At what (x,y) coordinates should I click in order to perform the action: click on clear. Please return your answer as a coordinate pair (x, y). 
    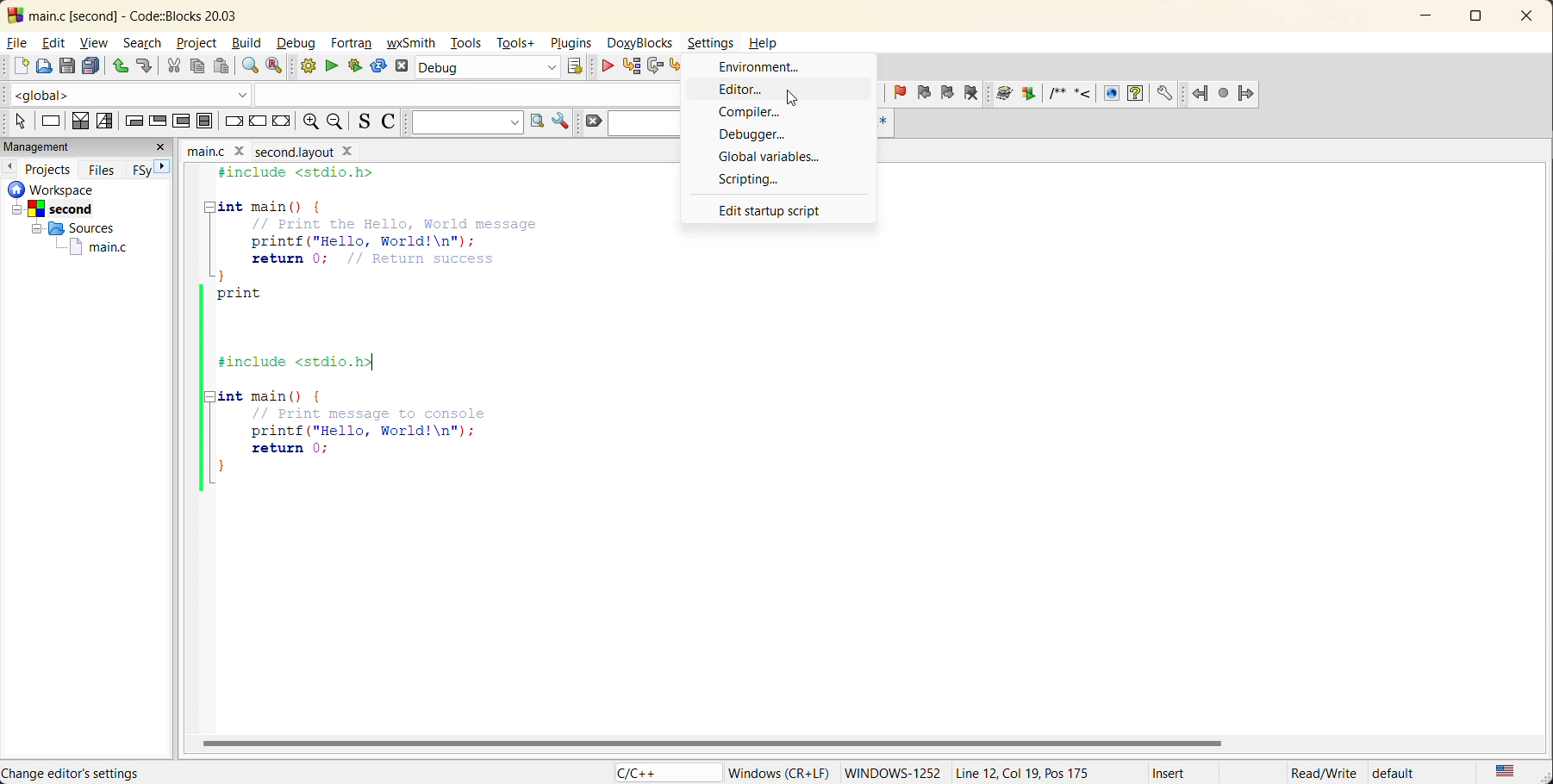
    Looking at the image, I should click on (593, 122).